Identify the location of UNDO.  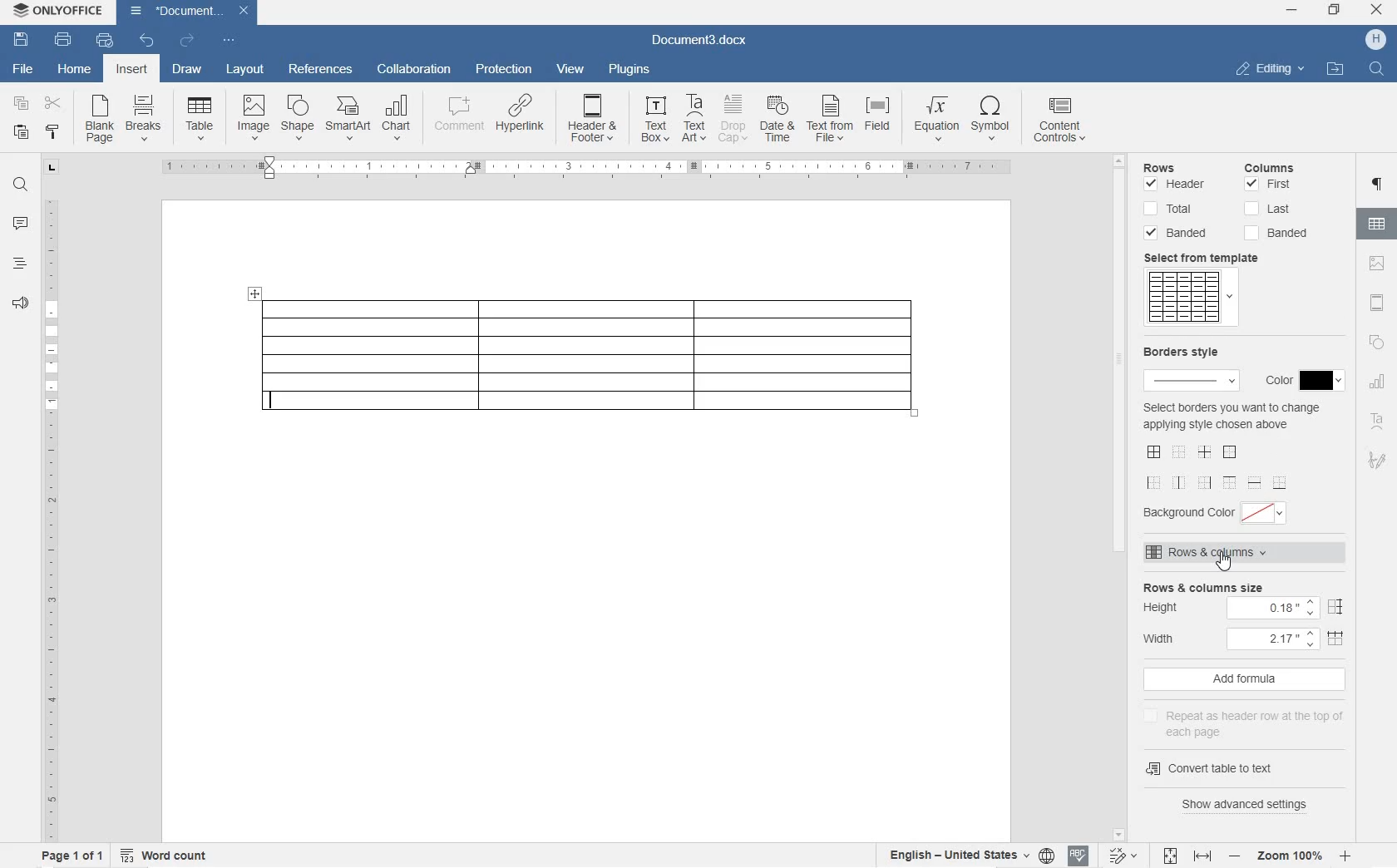
(148, 40).